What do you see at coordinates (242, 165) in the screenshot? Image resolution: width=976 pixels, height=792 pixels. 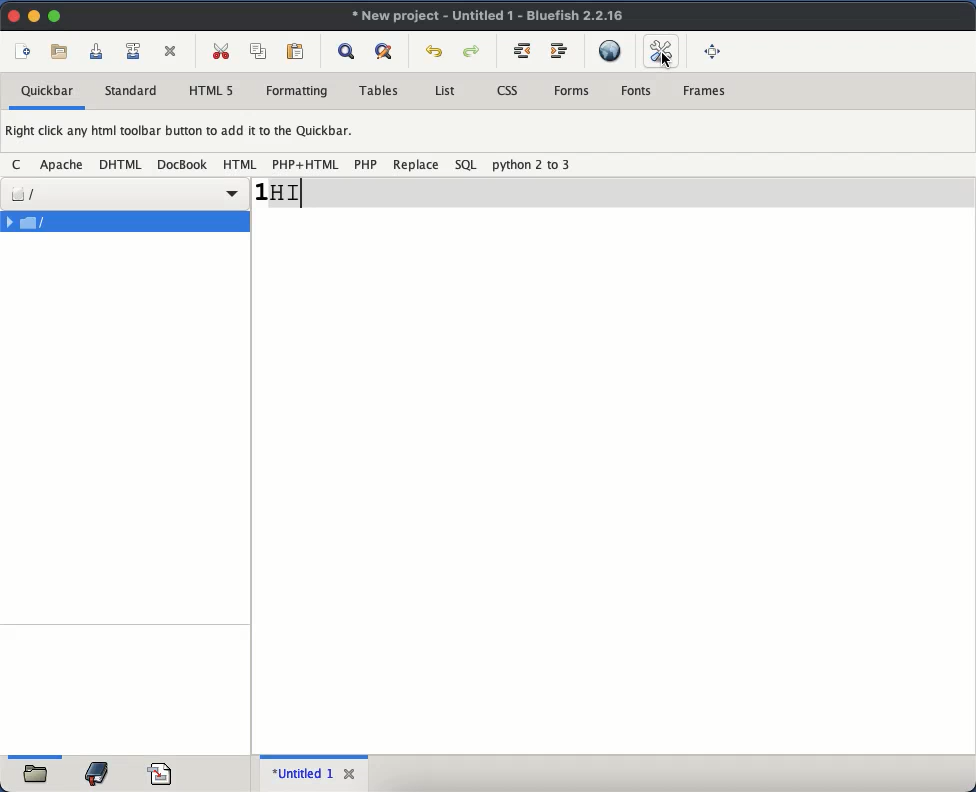 I see `html` at bounding box center [242, 165].